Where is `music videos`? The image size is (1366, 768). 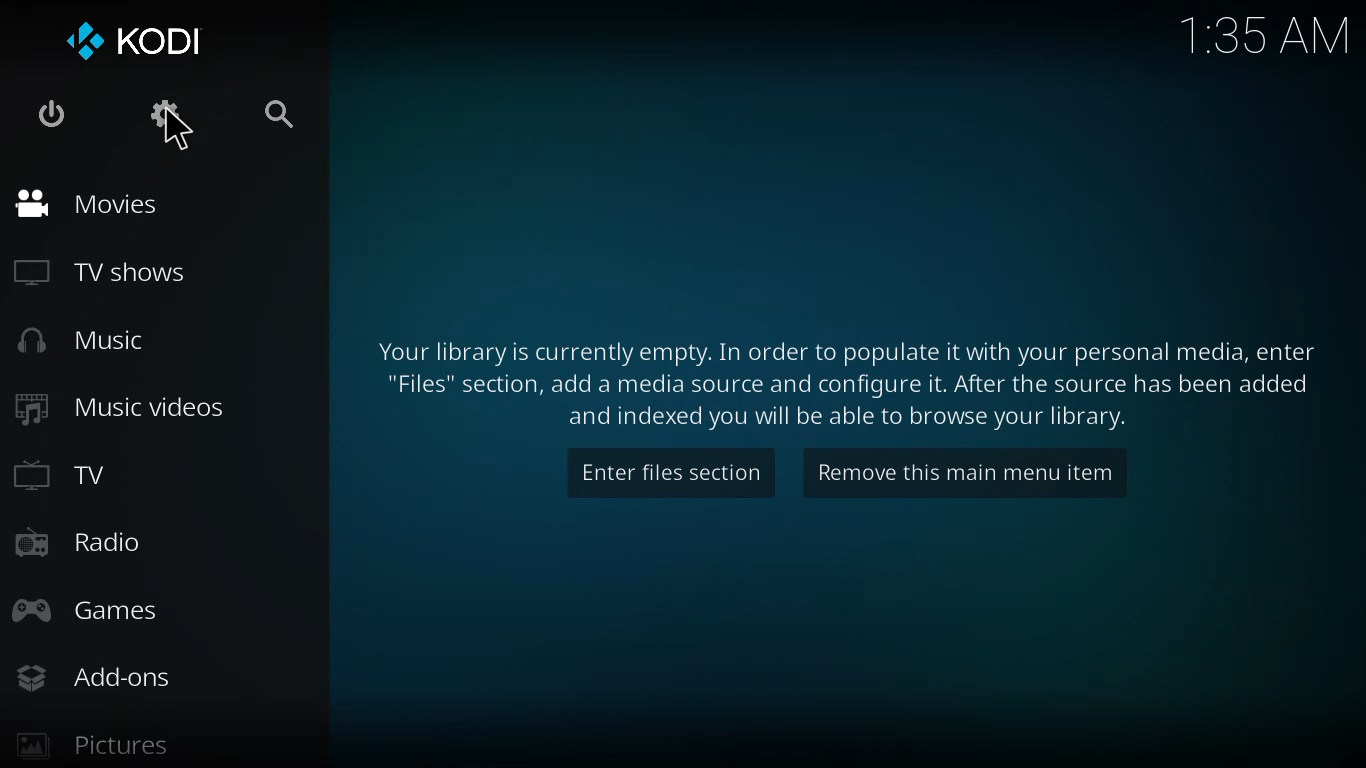 music videos is located at coordinates (117, 408).